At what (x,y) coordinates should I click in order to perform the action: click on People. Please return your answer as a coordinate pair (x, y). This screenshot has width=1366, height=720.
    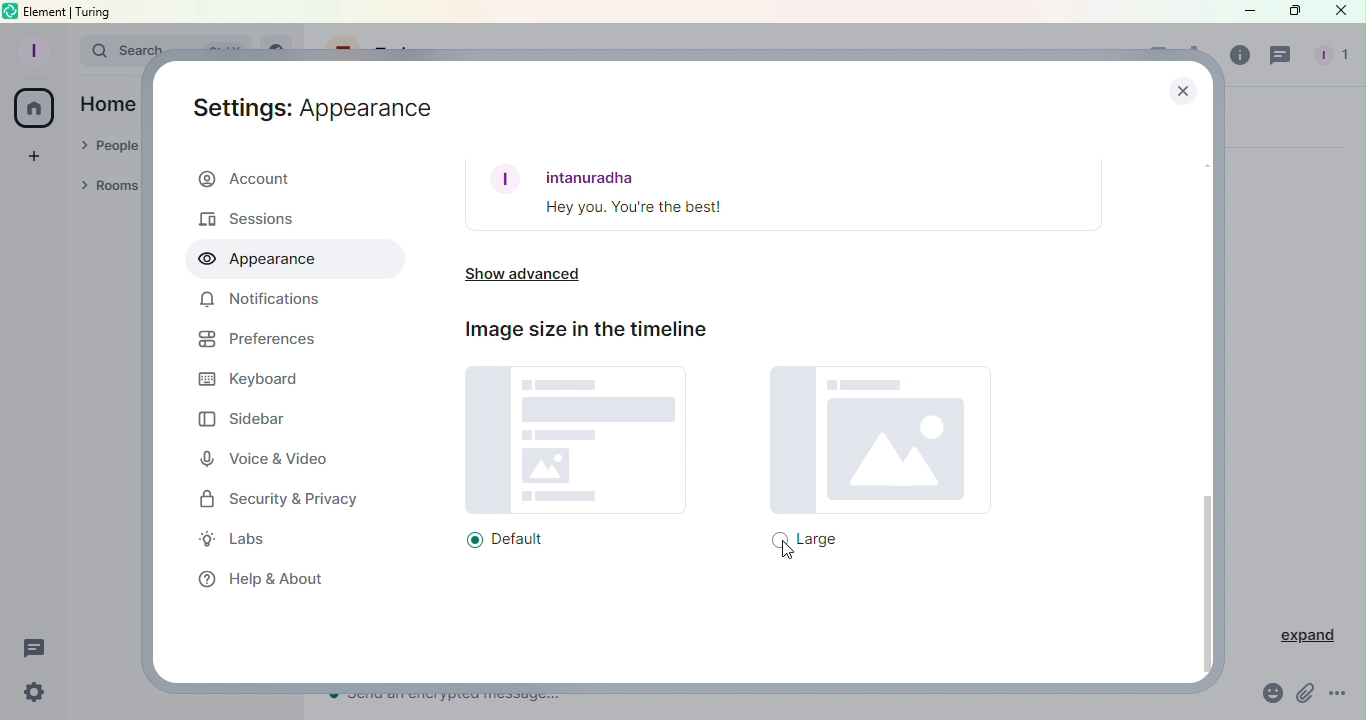
    Looking at the image, I should click on (109, 147).